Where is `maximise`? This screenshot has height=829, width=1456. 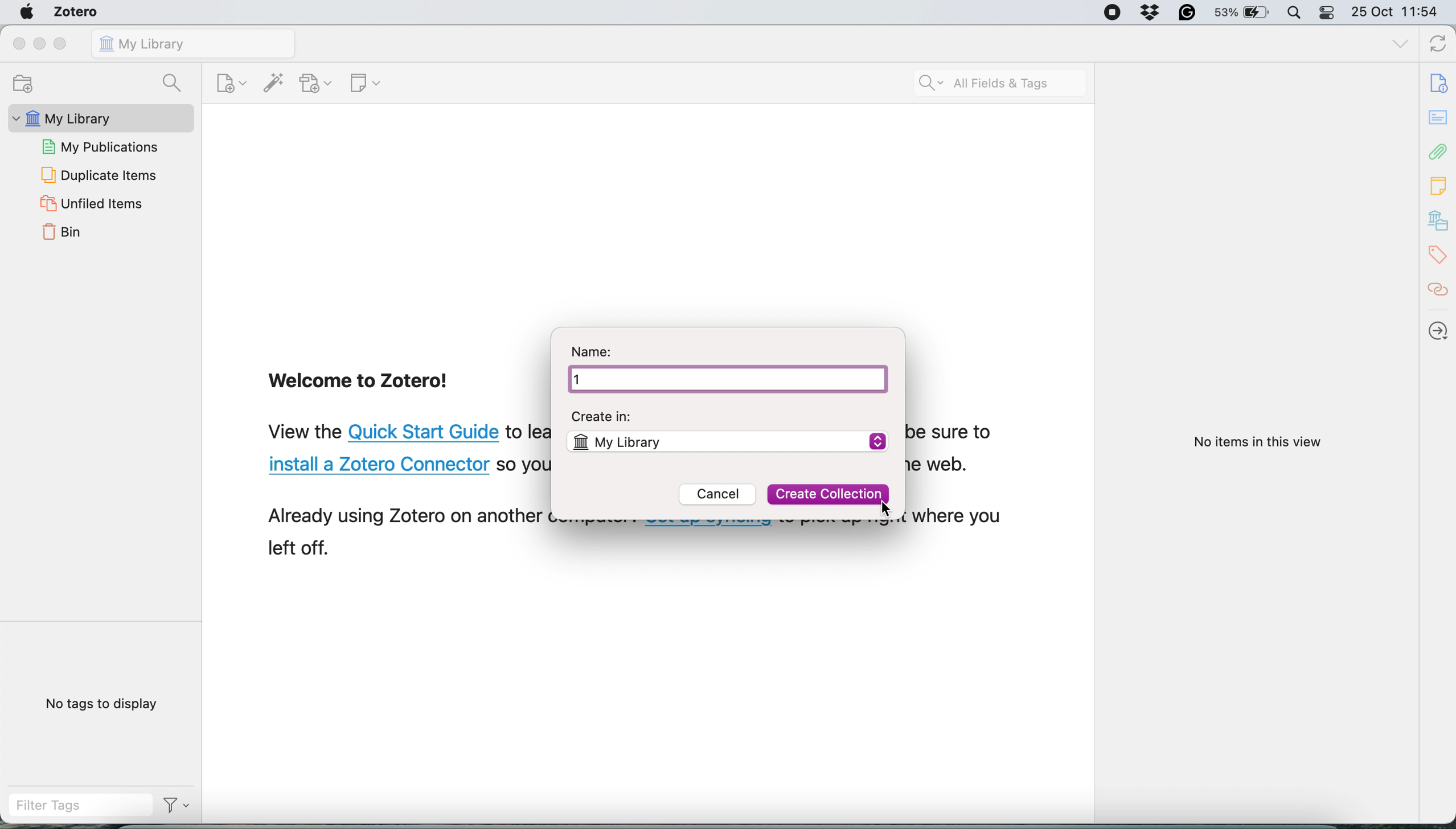
maximise is located at coordinates (61, 43).